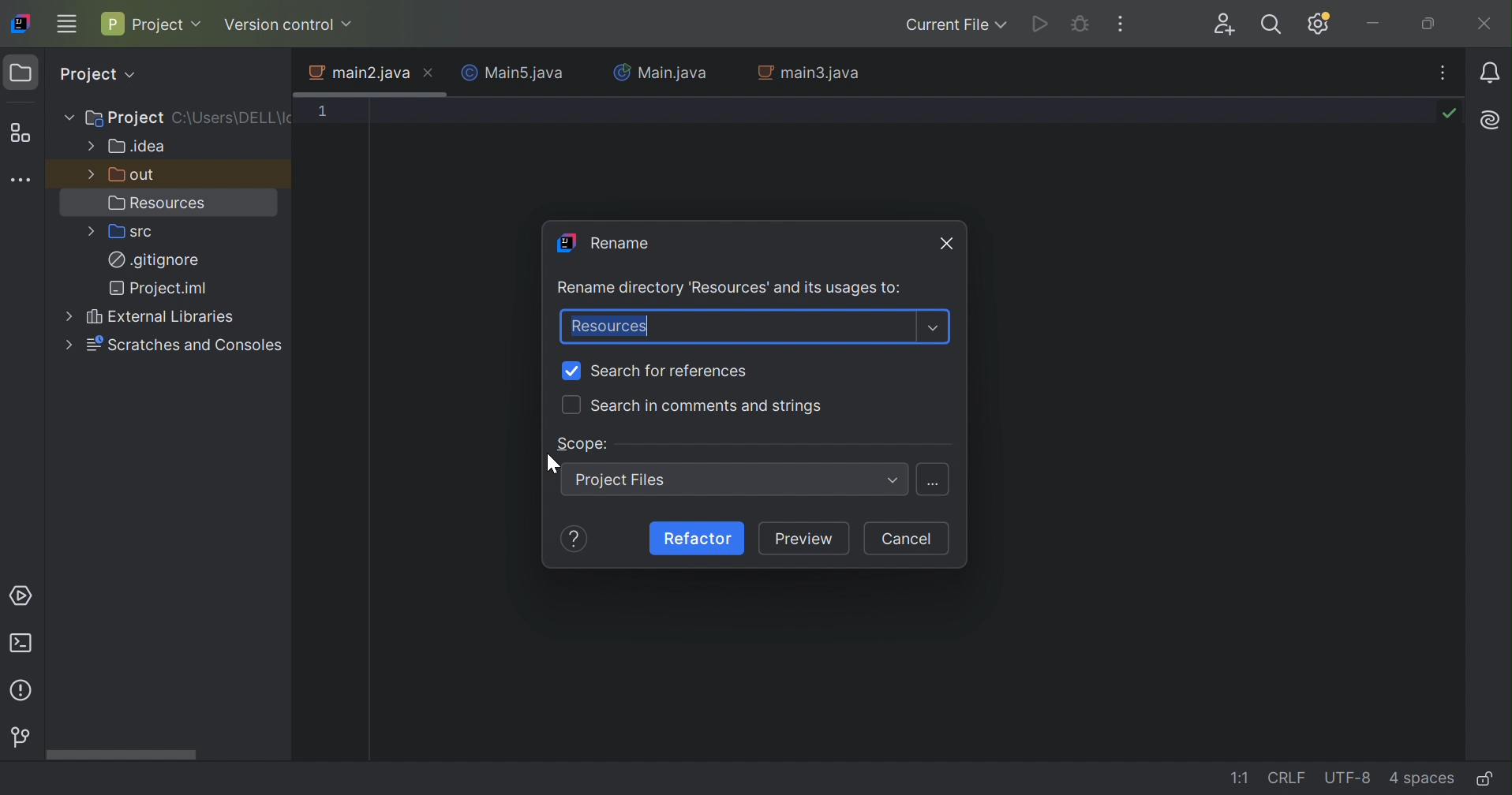 The image size is (1512, 795). What do you see at coordinates (672, 371) in the screenshot?
I see `Search for references` at bounding box center [672, 371].